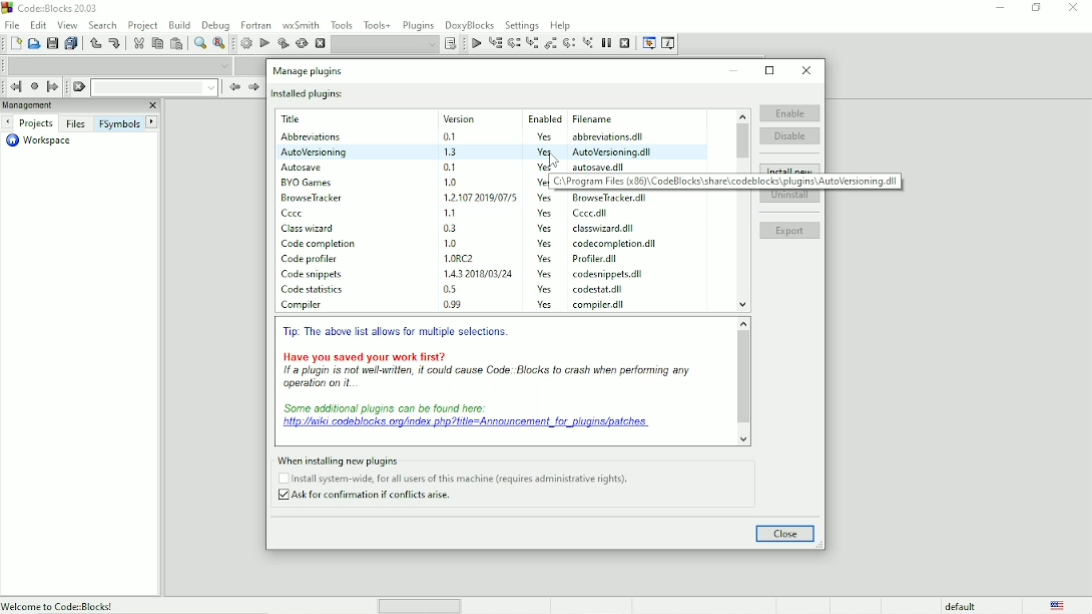 This screenshot has width=1092, height=614. I want to click on 0.5, so click(448, 289).